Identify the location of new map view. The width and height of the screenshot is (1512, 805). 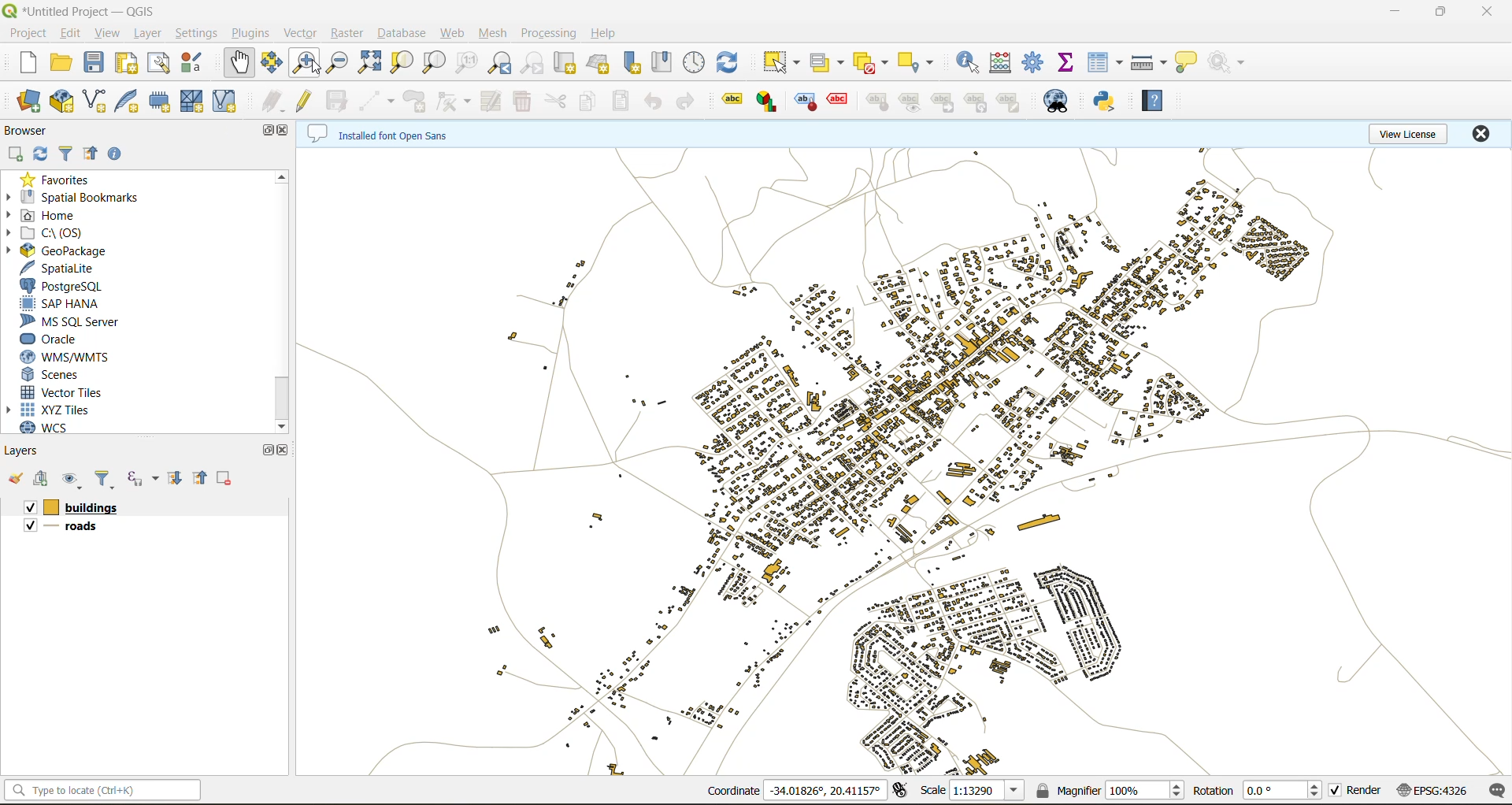
(568, 63).